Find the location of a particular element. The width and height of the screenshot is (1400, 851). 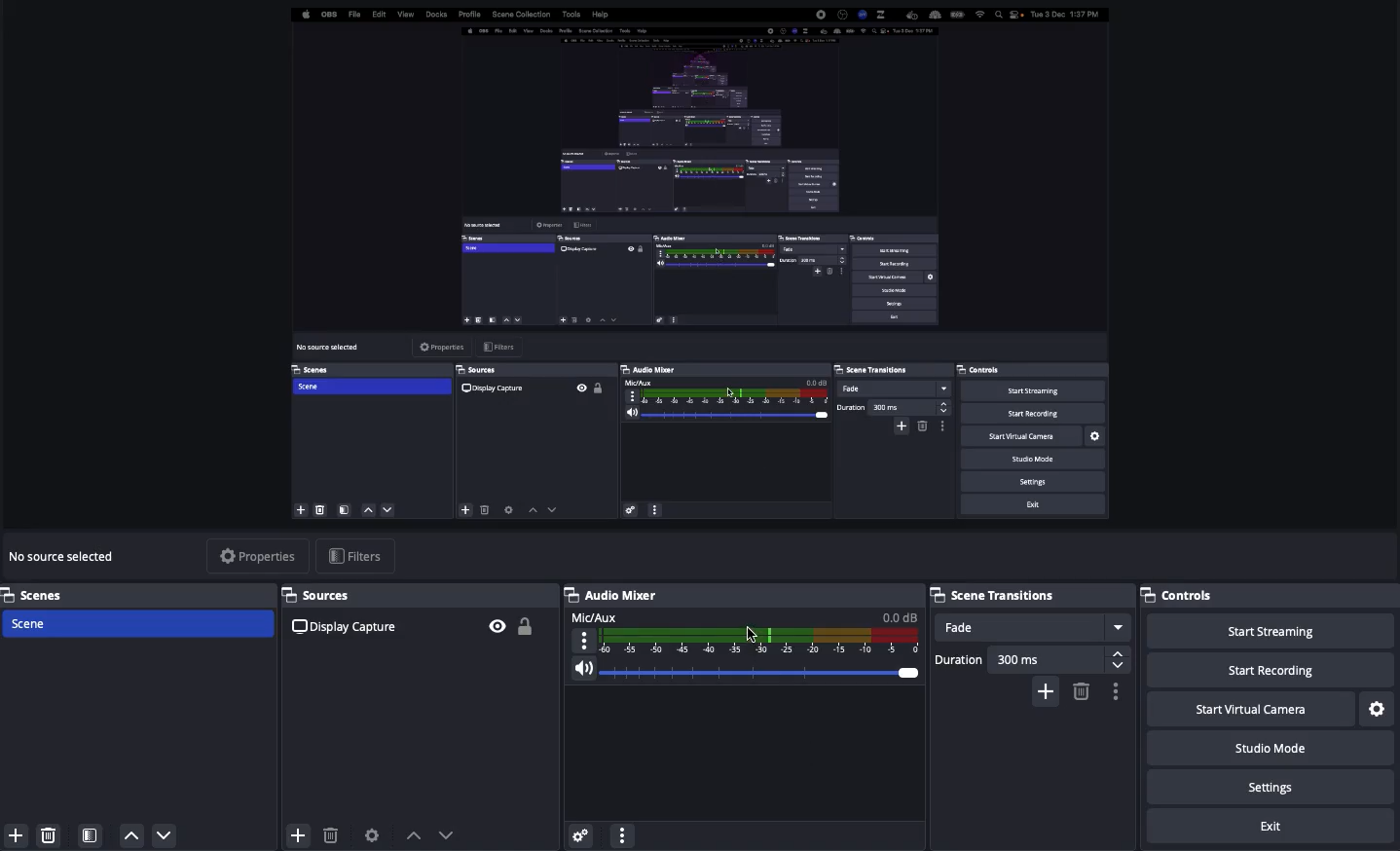

Filters is located at coordinates (362, 556).